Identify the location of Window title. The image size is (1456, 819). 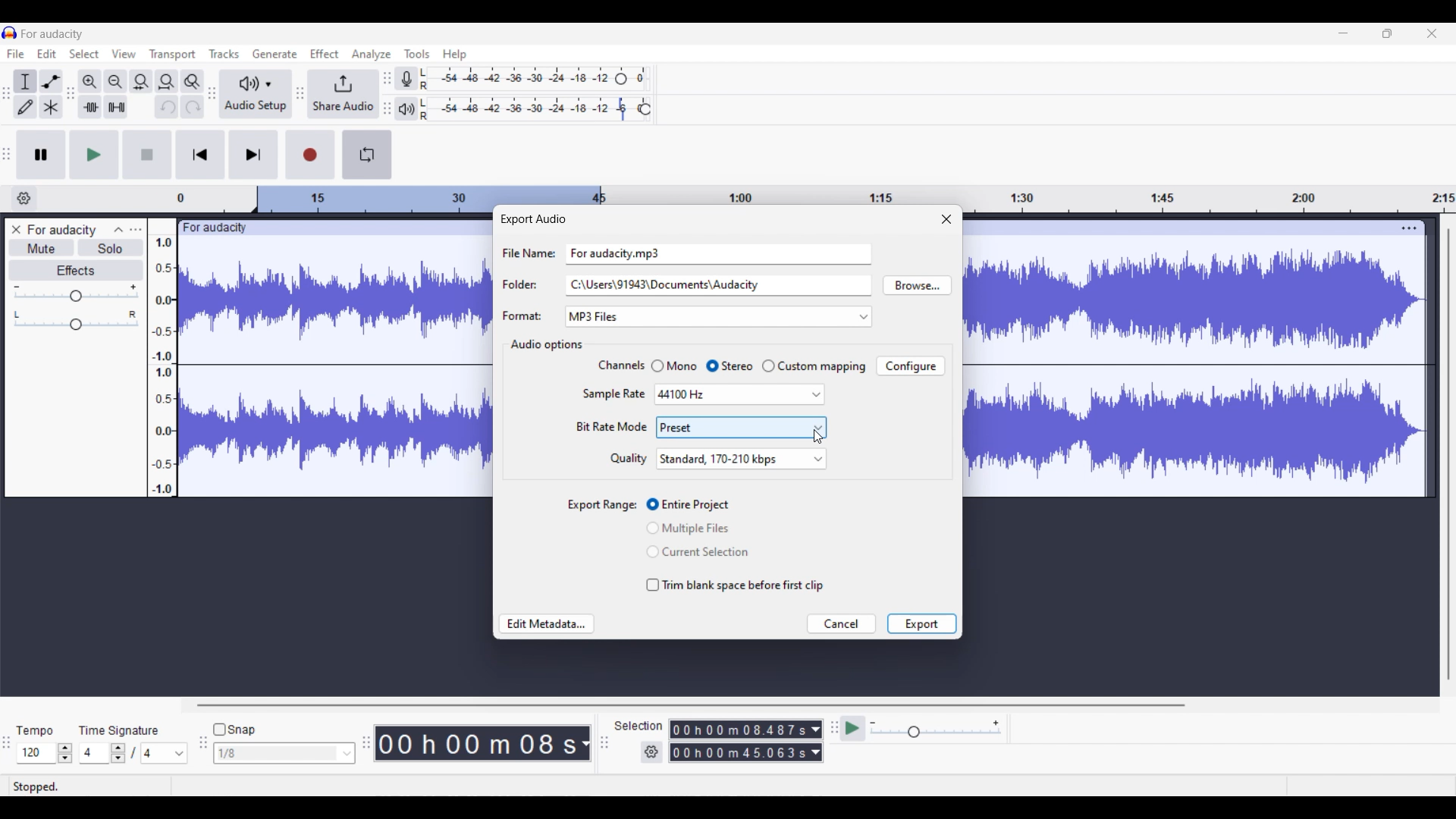
(532, 219).